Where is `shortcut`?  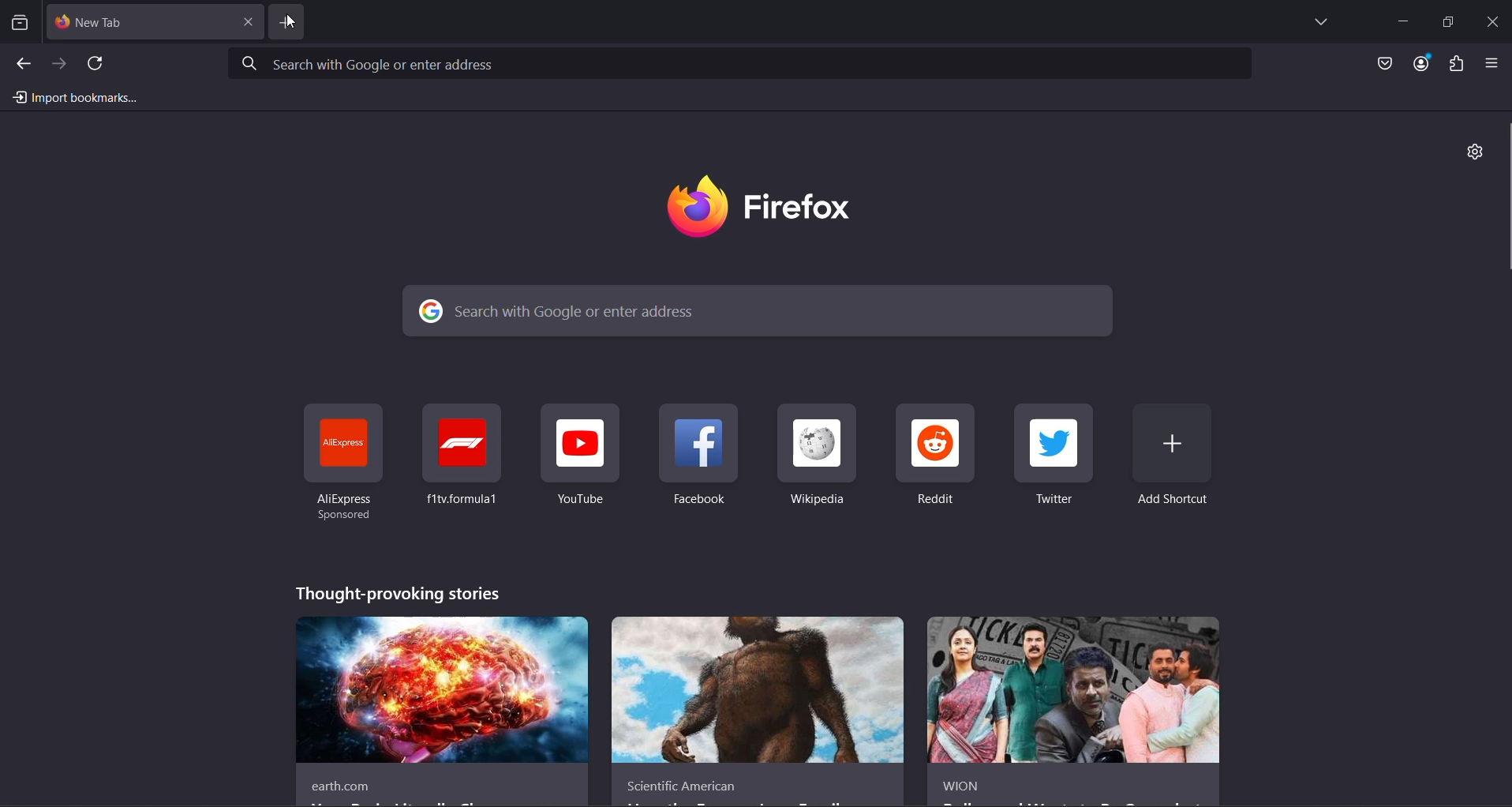
shortcut is located at coordinates (1056, 456).